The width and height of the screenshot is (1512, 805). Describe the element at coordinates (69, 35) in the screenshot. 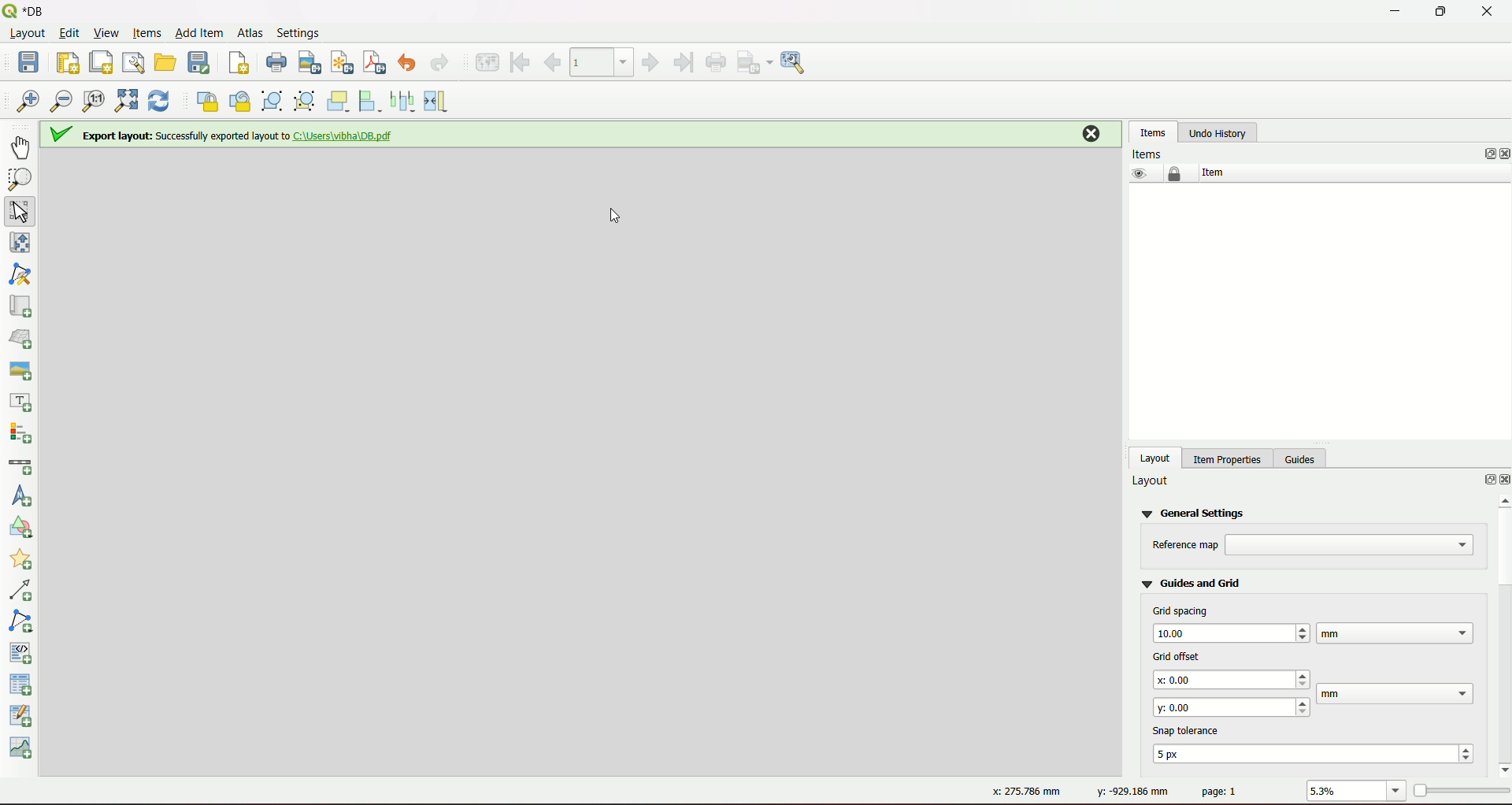

I see `Edit` at that location.